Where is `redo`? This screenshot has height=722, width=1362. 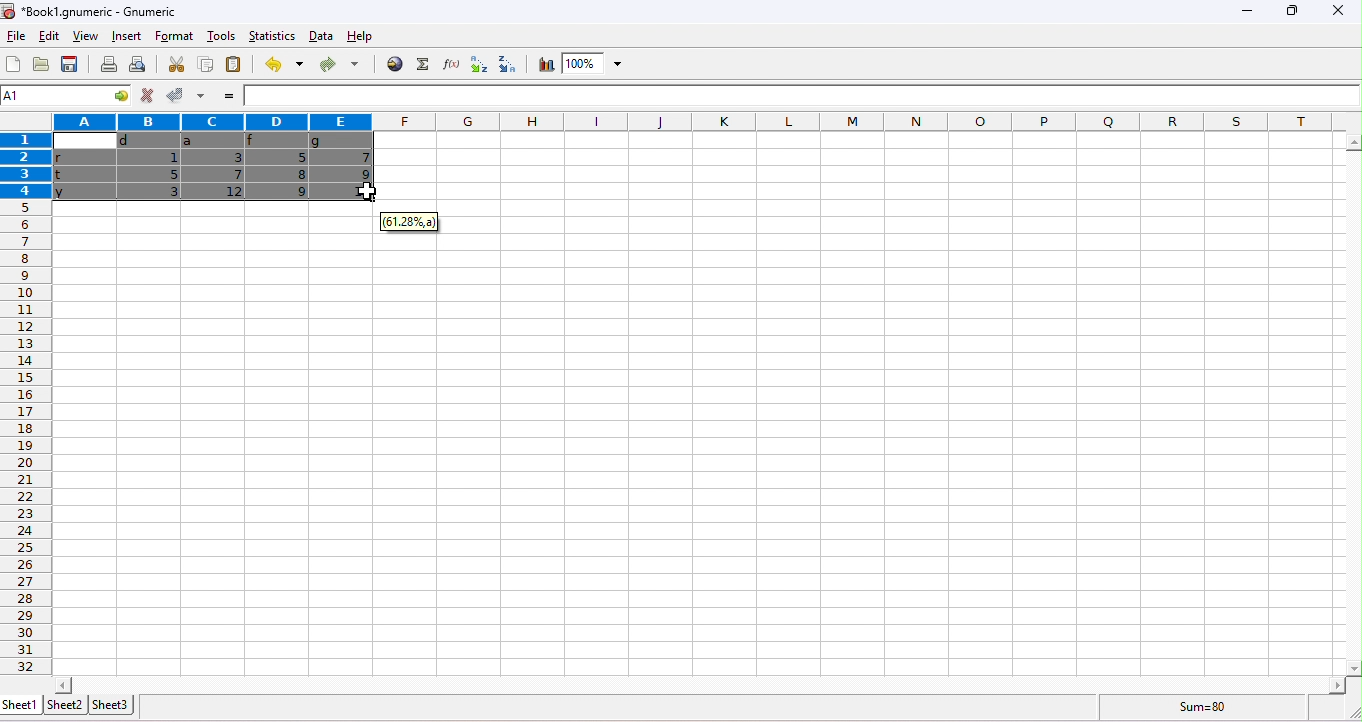
redo is located at coordinates (339, 63).